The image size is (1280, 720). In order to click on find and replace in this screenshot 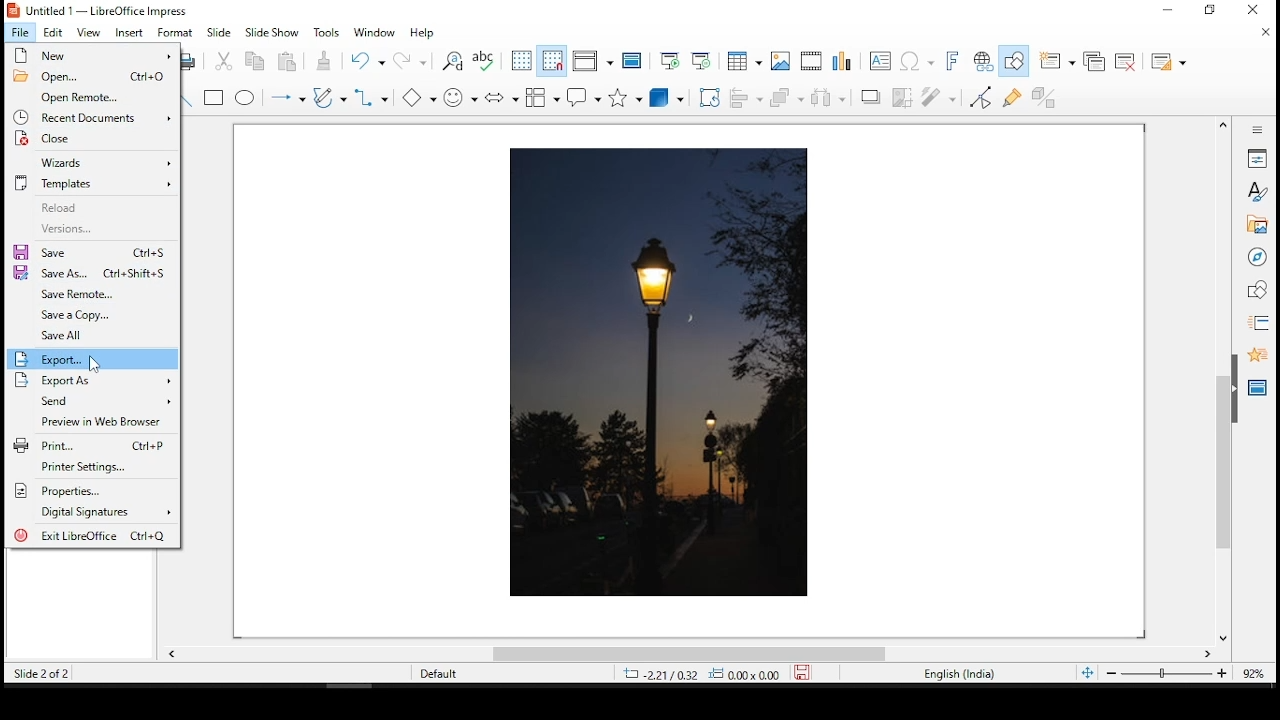, I will do `click(450, 59)`.